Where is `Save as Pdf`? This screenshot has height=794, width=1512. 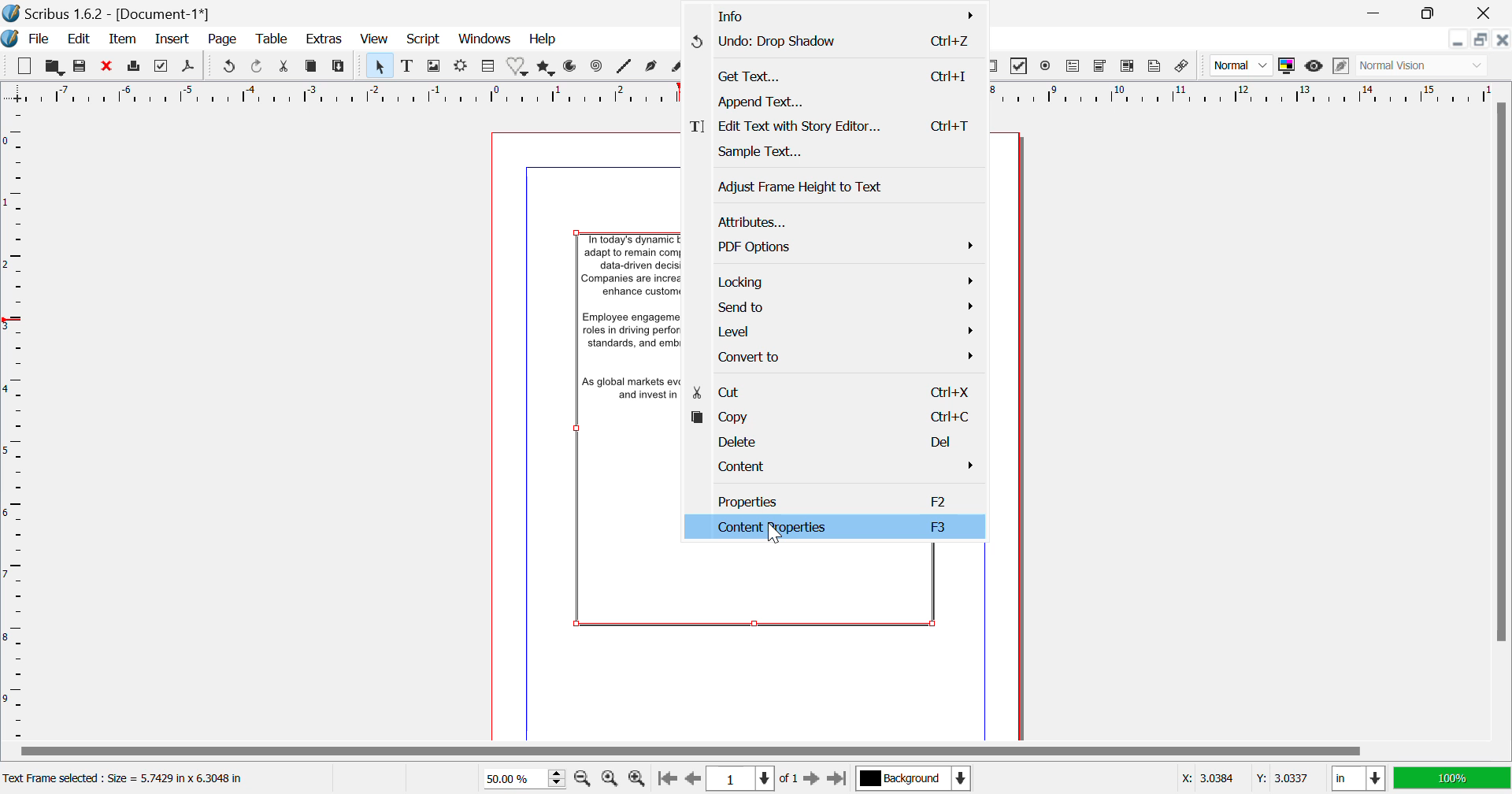
Save as Pdf is located at coordinates (189, 67).